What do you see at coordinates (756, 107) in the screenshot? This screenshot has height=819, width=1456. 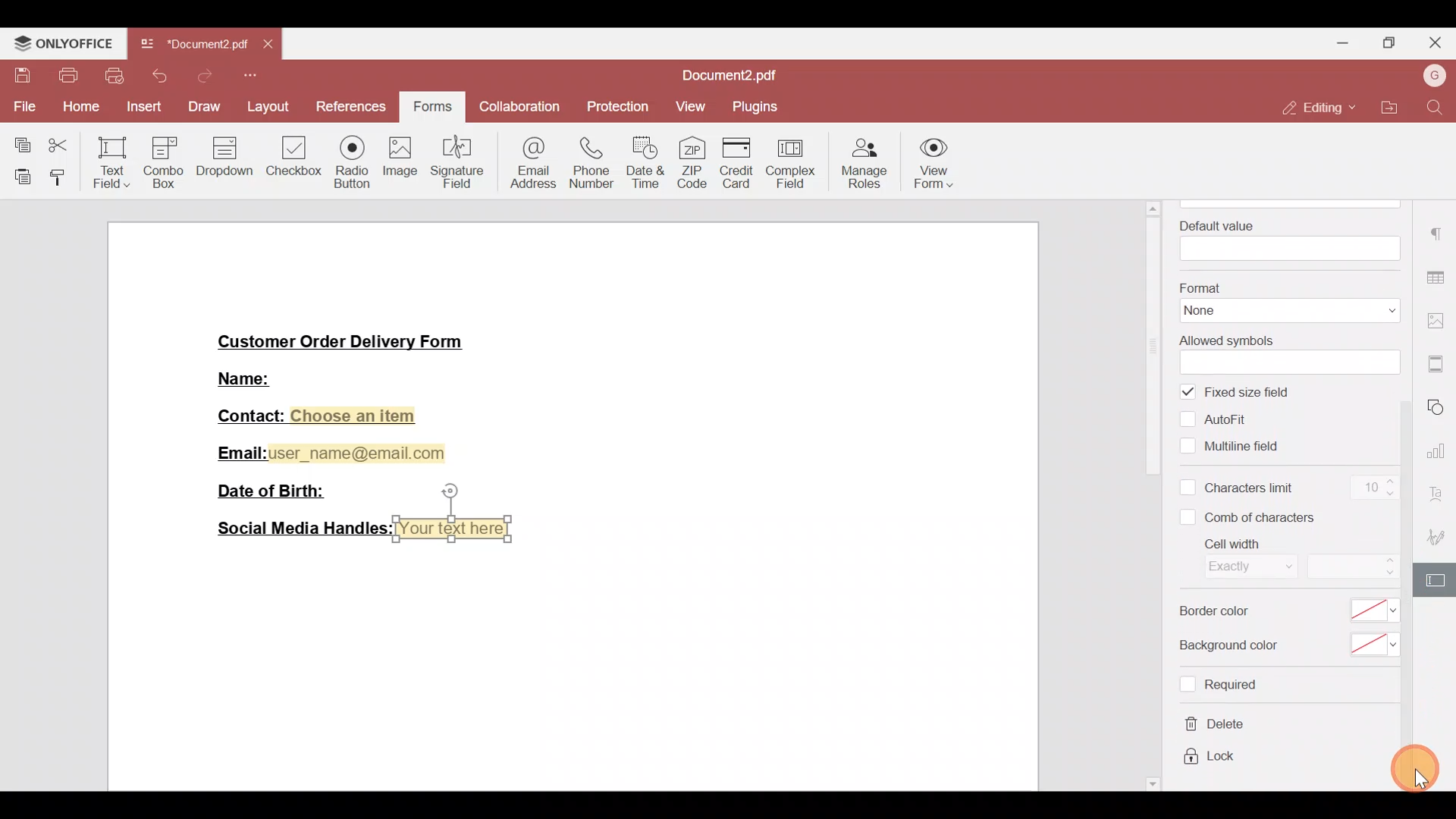 I see `Plugins` at bounding box center [756, 107].